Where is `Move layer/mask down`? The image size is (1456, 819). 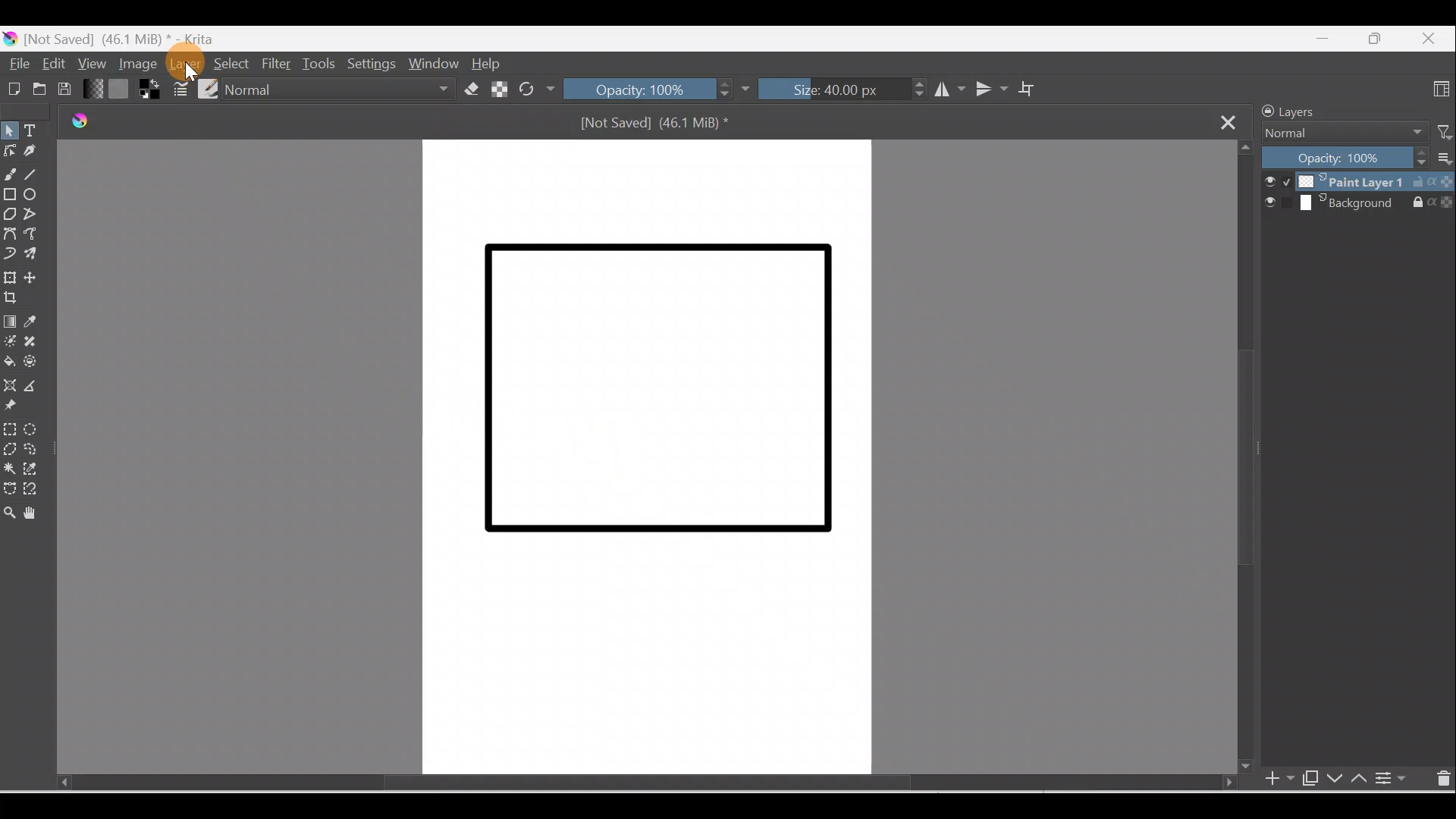
Move layer/mask down is located at coordinates (1335, 780).